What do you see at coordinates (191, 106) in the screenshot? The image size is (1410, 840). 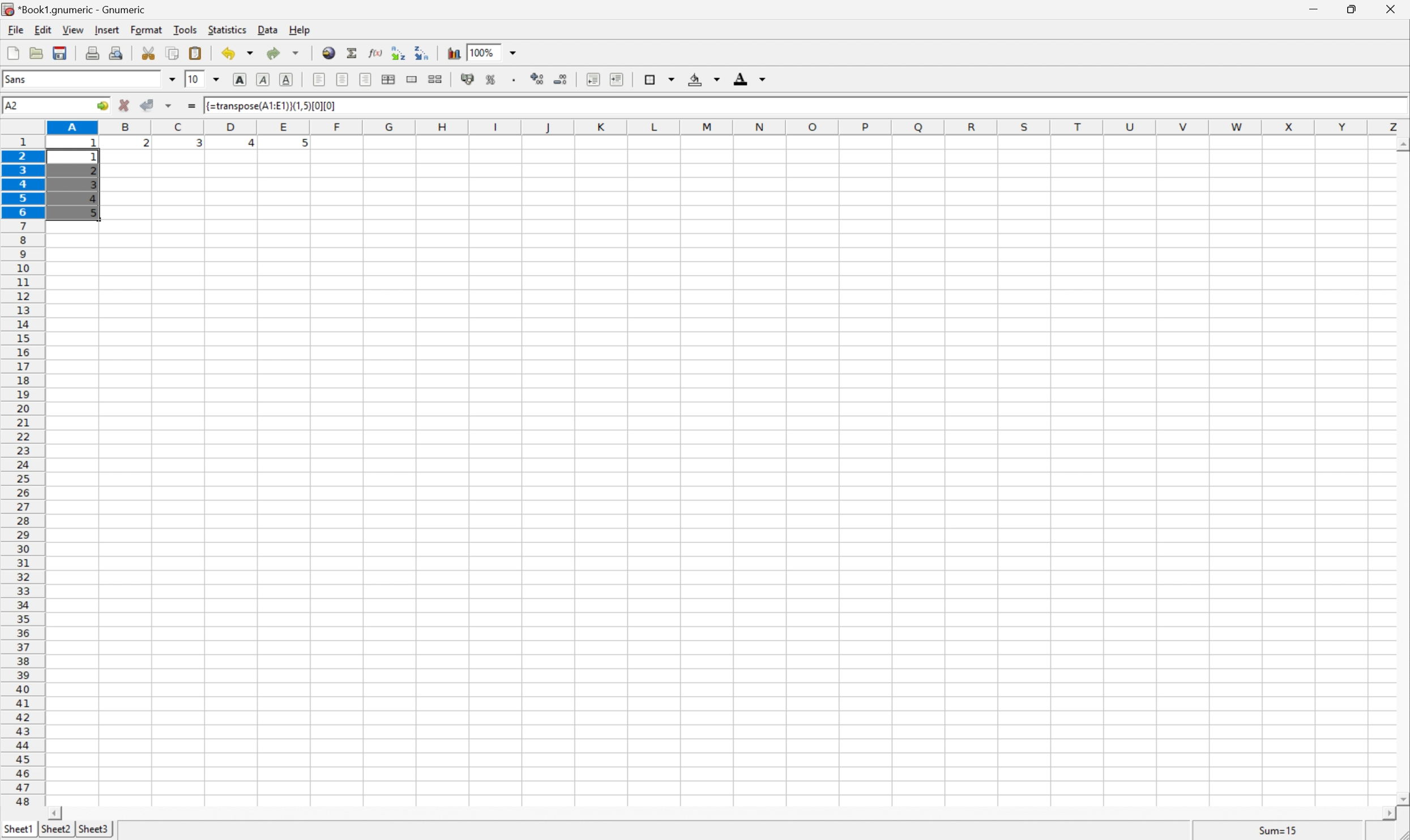 I see `enter formula` at bounding box center [191, 106].